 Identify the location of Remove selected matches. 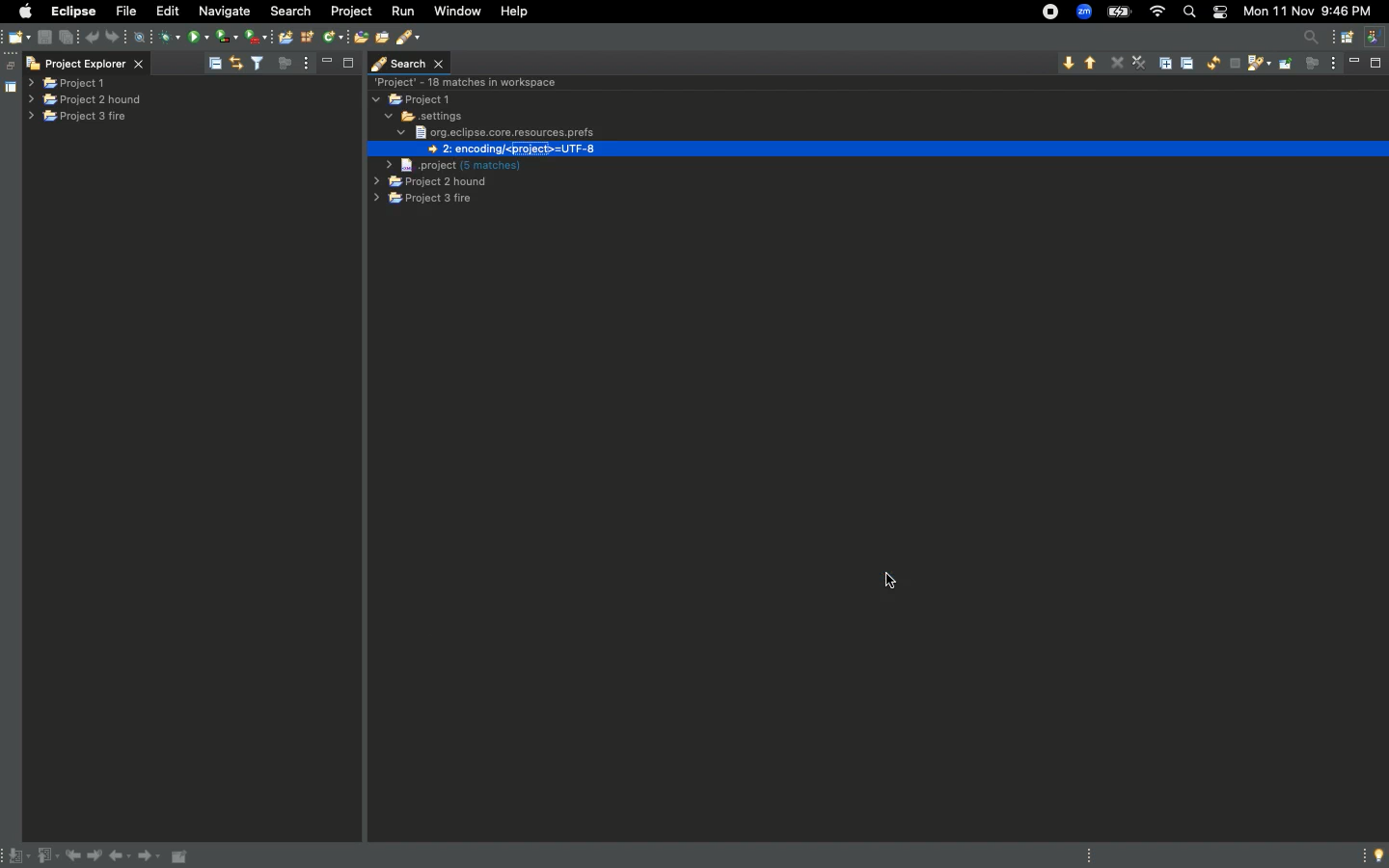
(1118, 62).